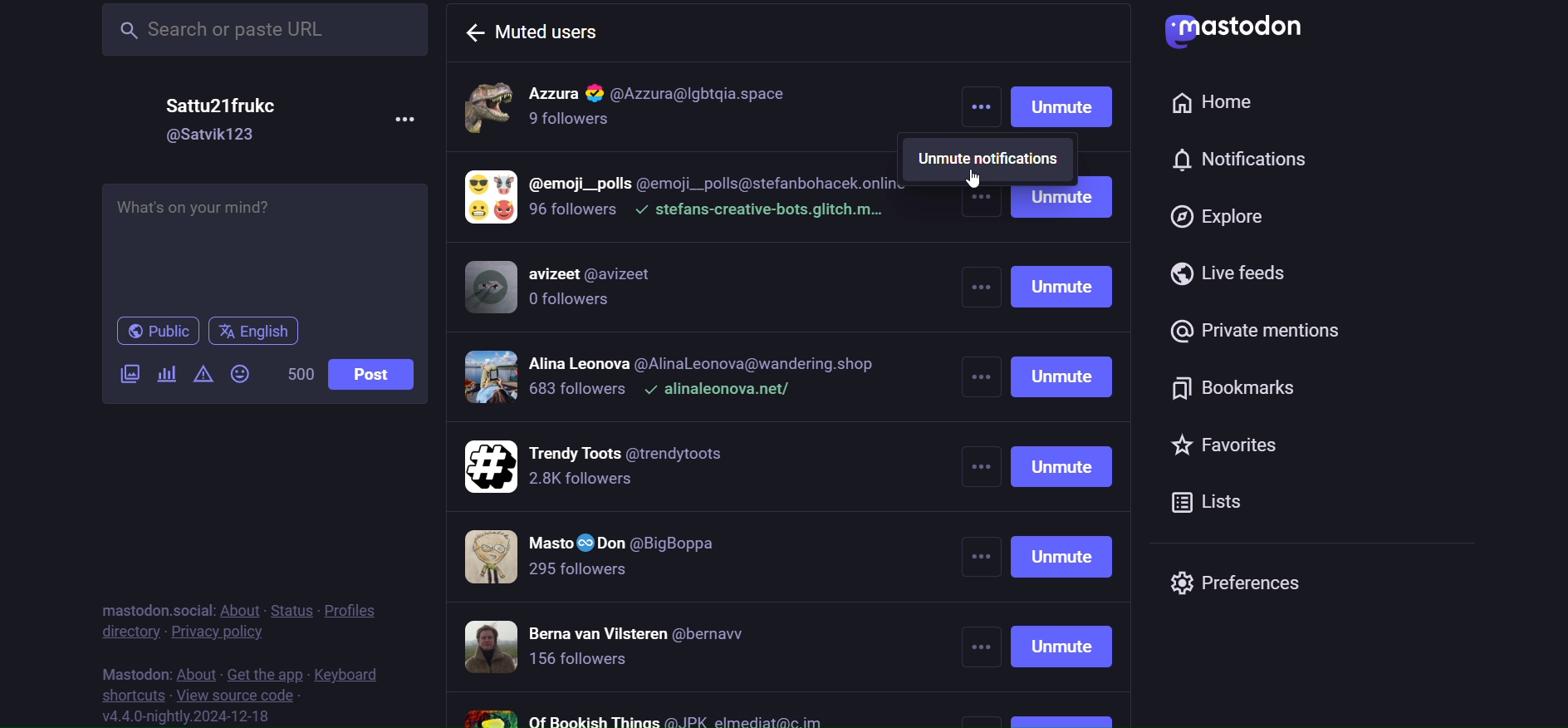  Describe the element at coordinates (266, 676) in the screenshot. I see `get the app` at that location.